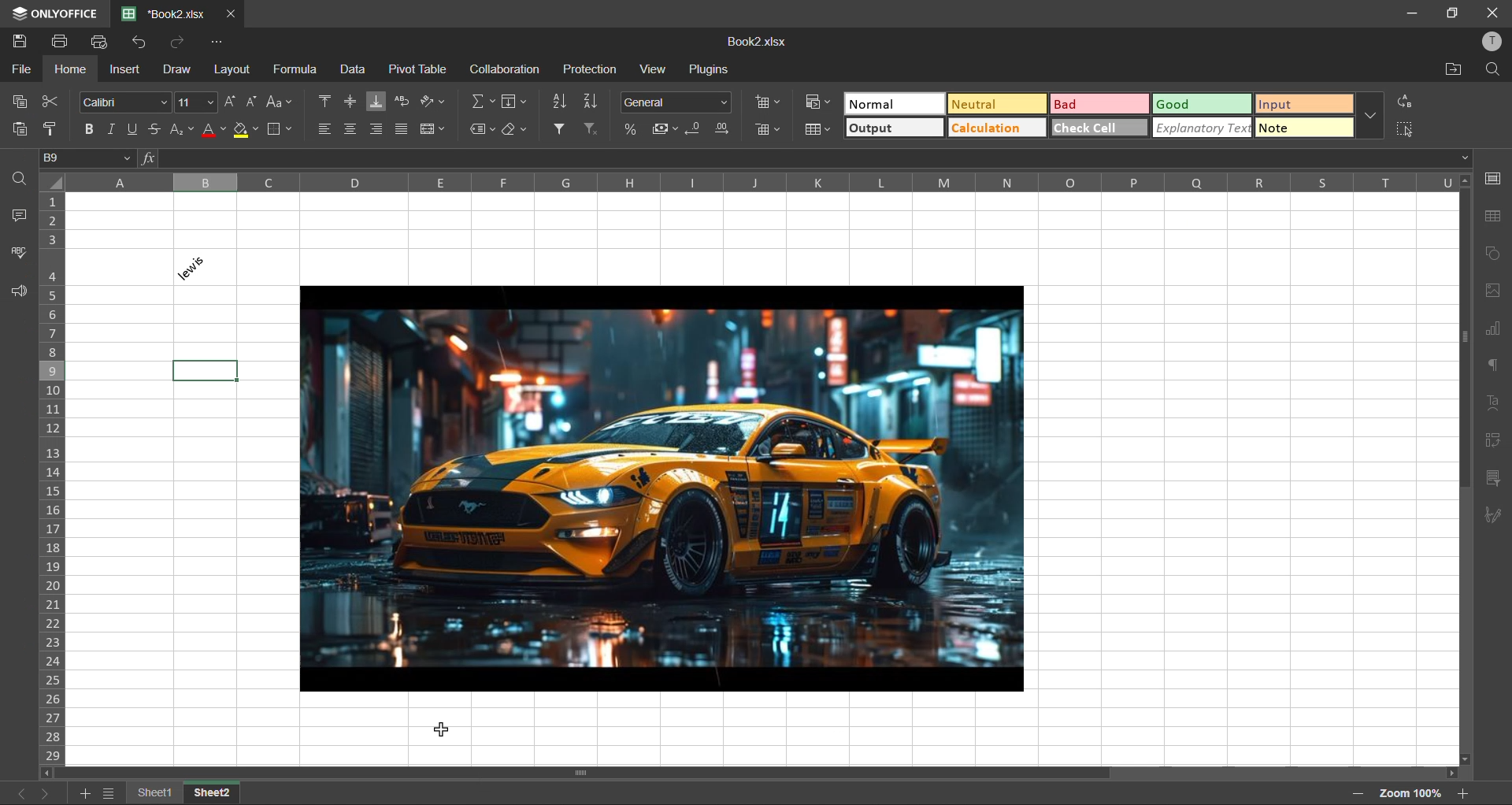 Image resolution: width=1512 pixels, height=805 pixels. I want to click on close tab, so click(230, 10).